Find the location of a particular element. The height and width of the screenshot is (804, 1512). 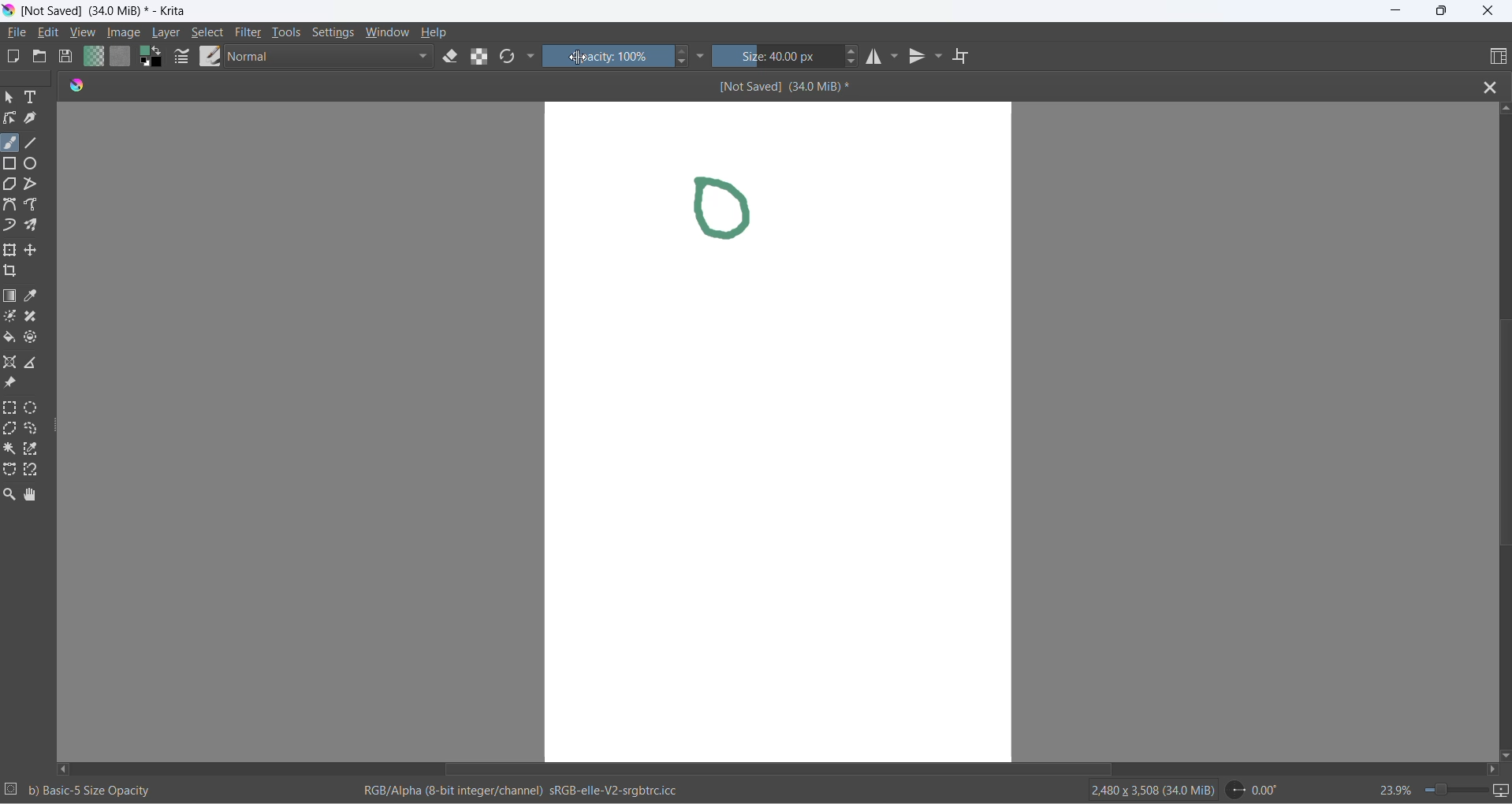

calligraphy is located at coordinates (37, 120).